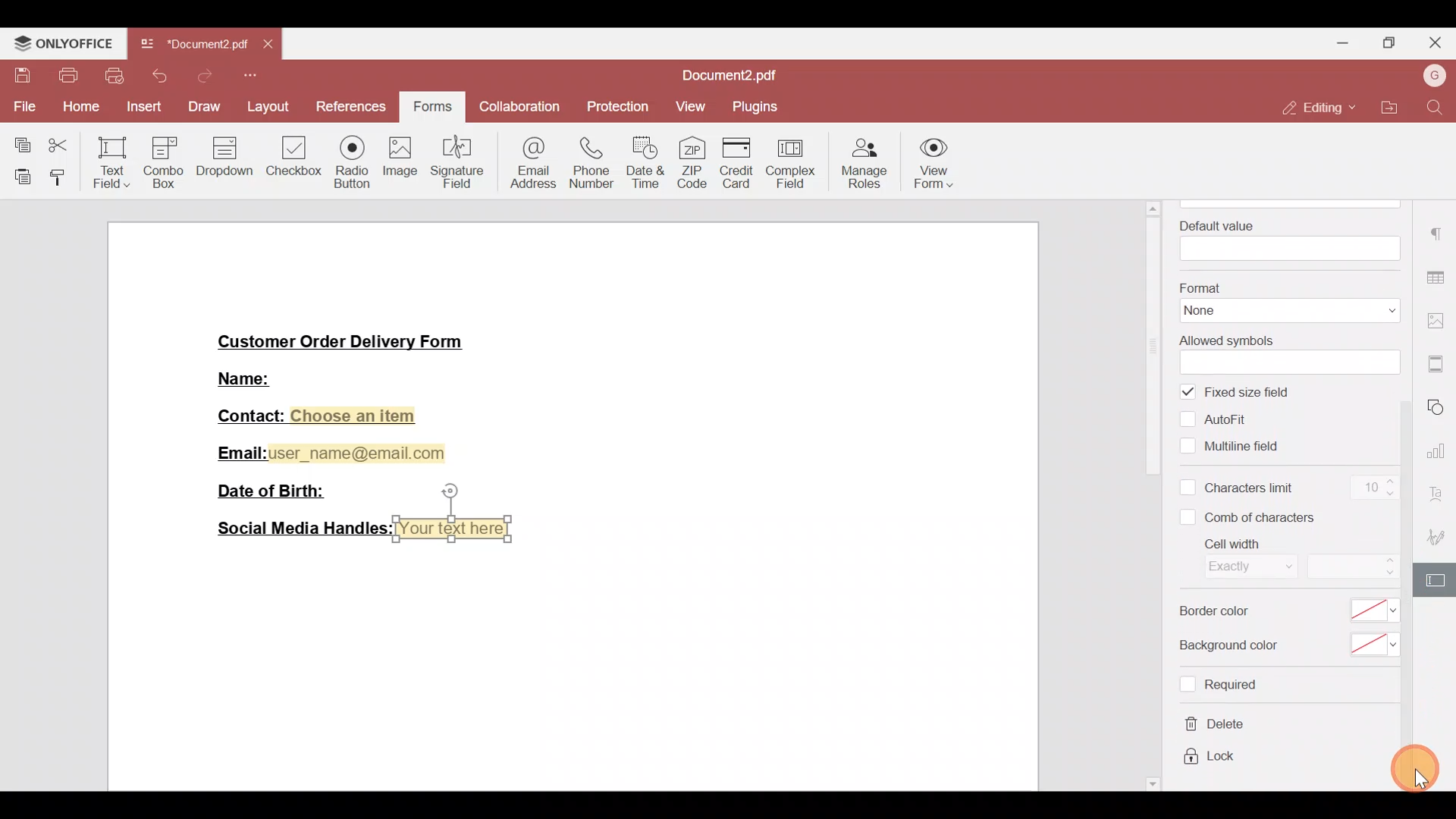  Describe the element at coordinates (1438, 359) in the screenshot. I see `More settings` at that location.